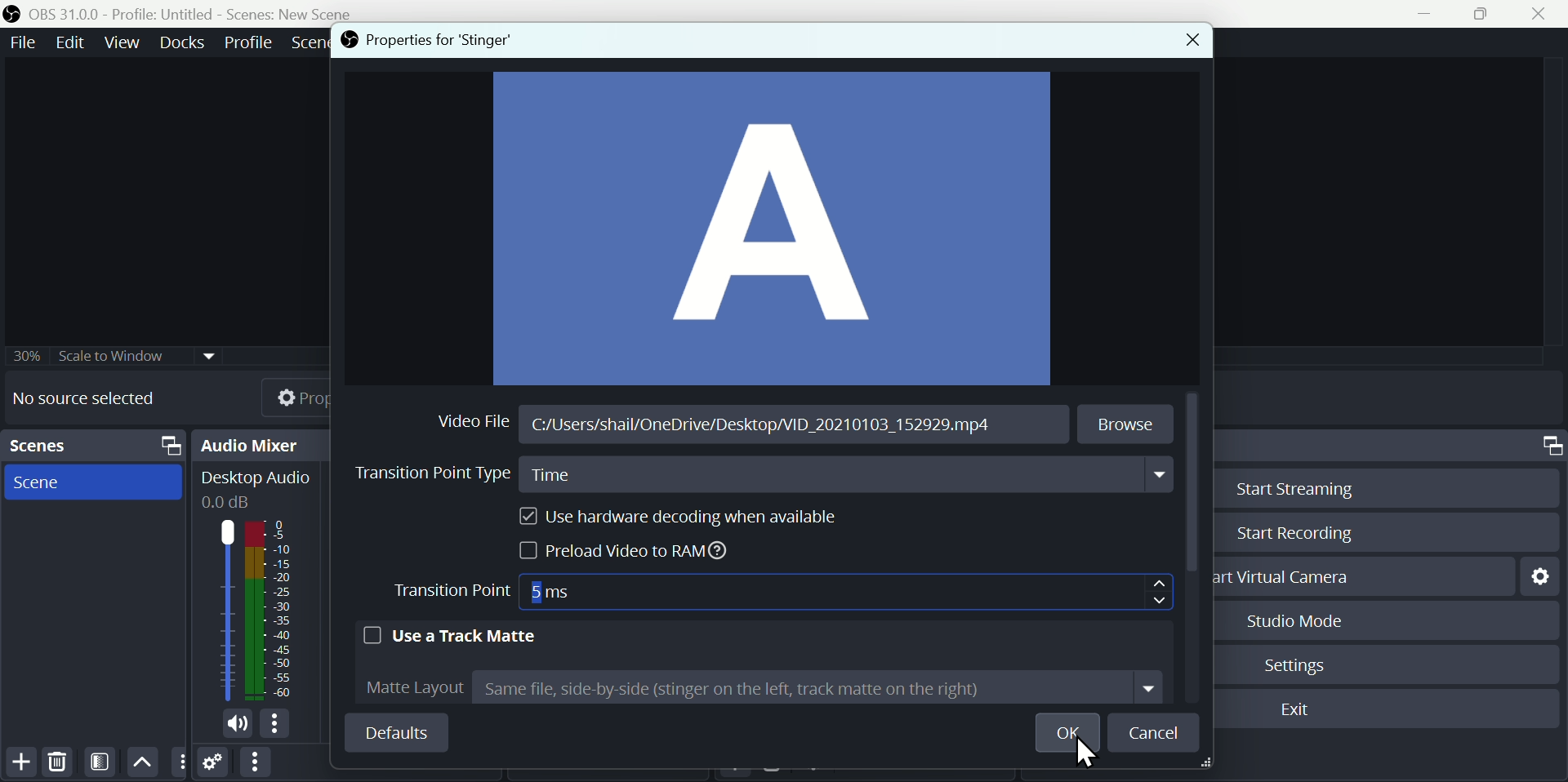 This screenshot has height=782, width=1568. I want to click on transition point type, so click(425, 476).